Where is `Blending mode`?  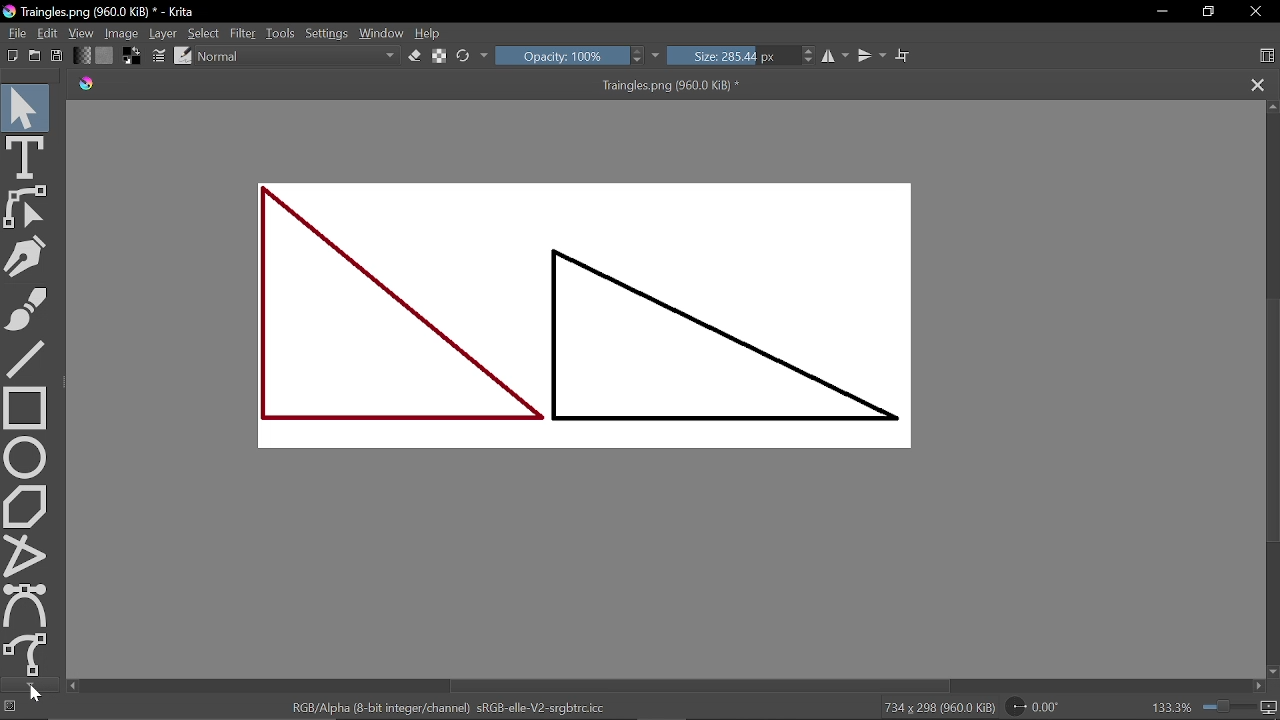
Blending mode is located at coordinates (298, 56).